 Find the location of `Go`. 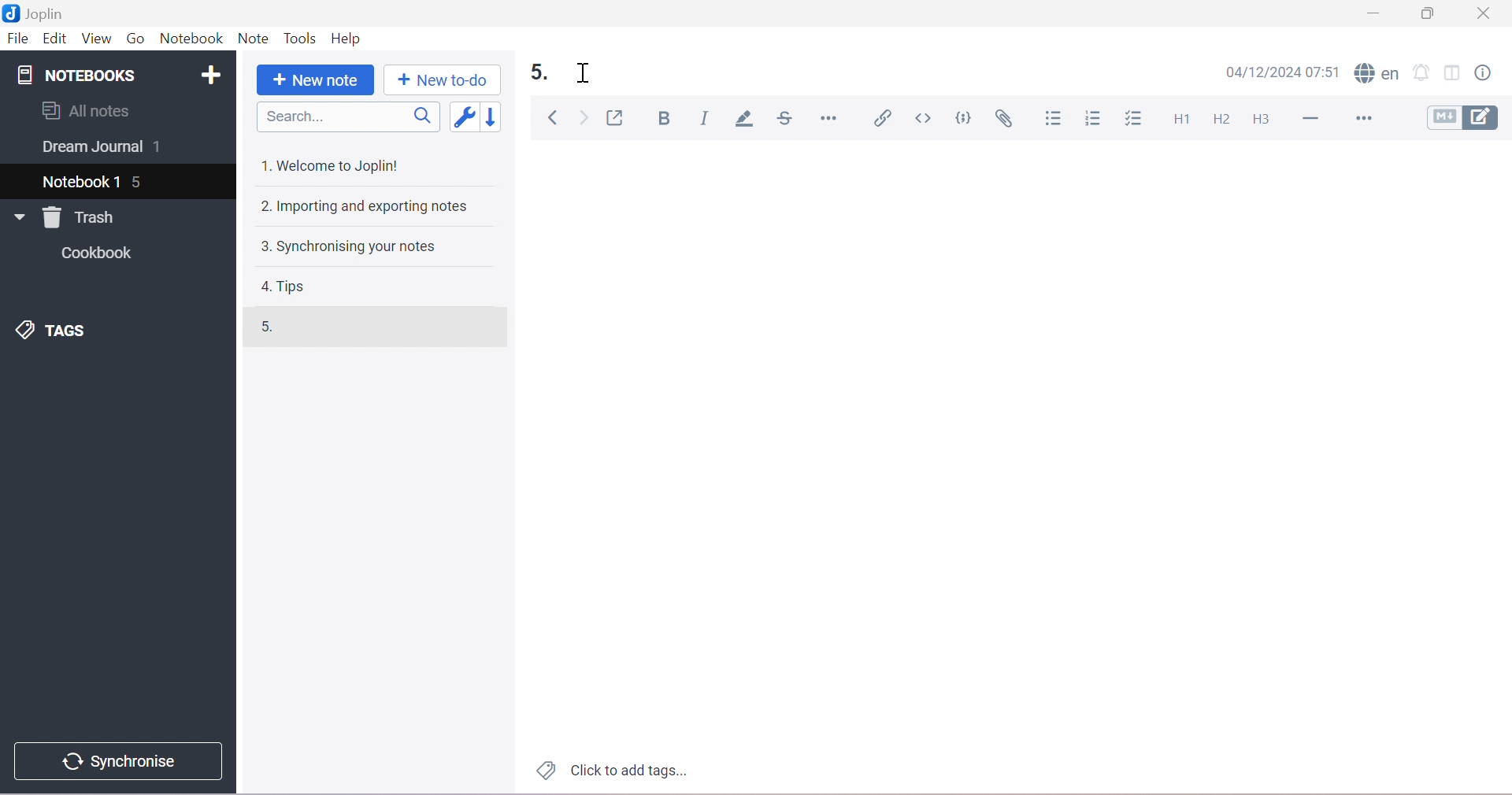

Go is located at coordinates (135, 37).